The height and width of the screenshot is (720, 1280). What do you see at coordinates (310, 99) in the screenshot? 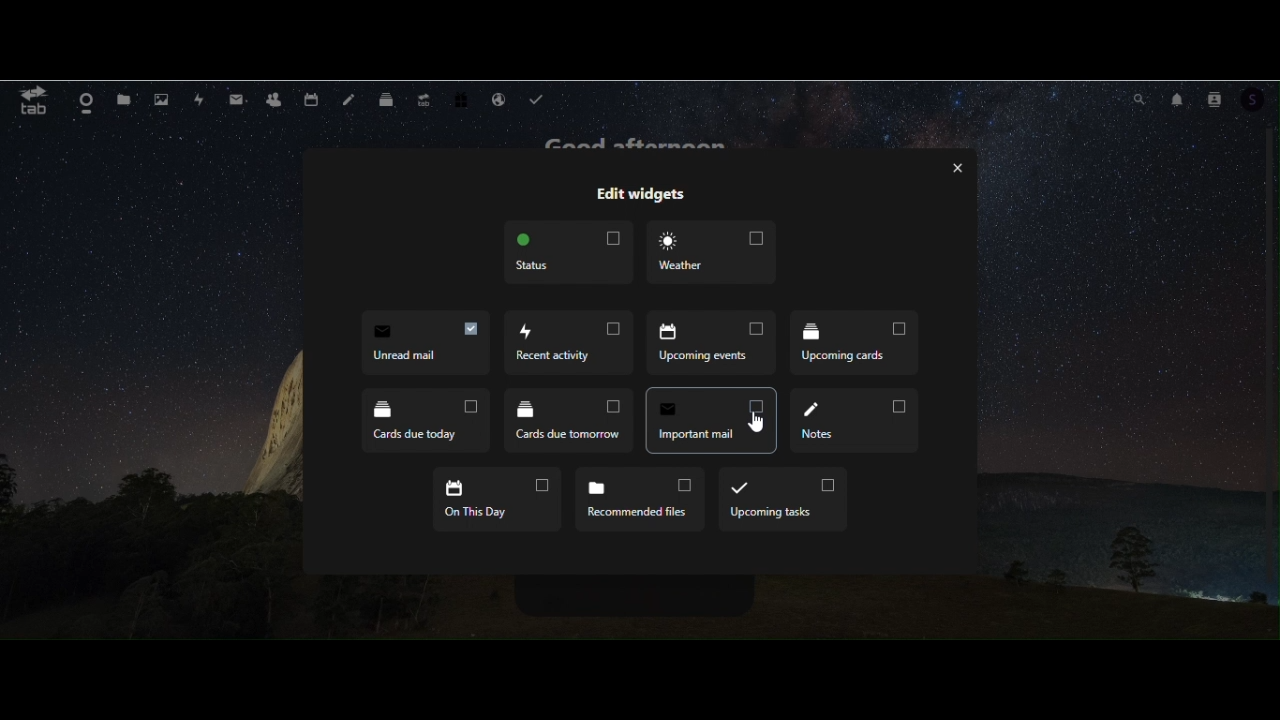
I see `calendar` at bounding box center [310, 99].